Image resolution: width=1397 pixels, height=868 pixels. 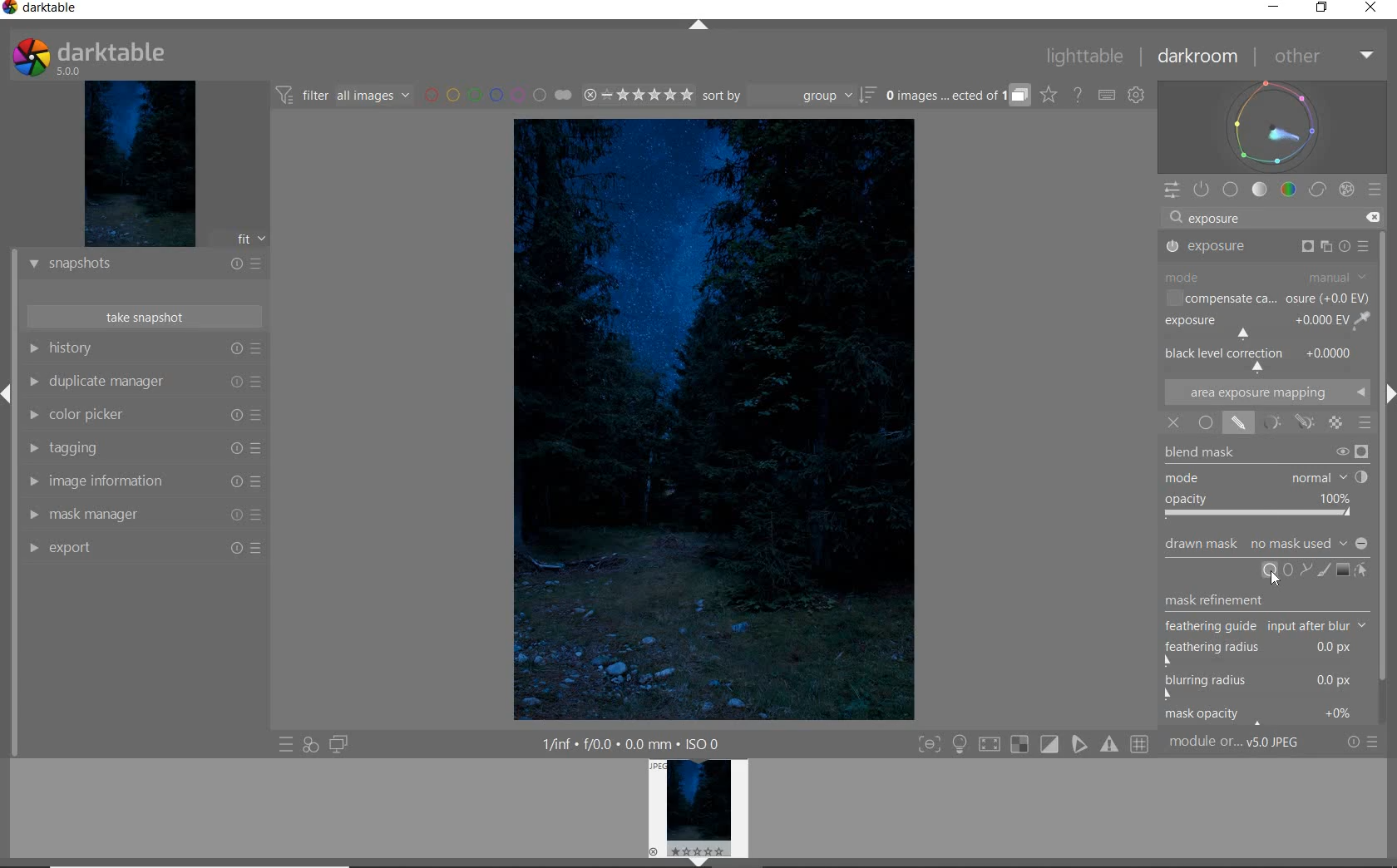 I want to click on SHOW GLOBAL PREFERENCES, so click(x=1136, y=95).